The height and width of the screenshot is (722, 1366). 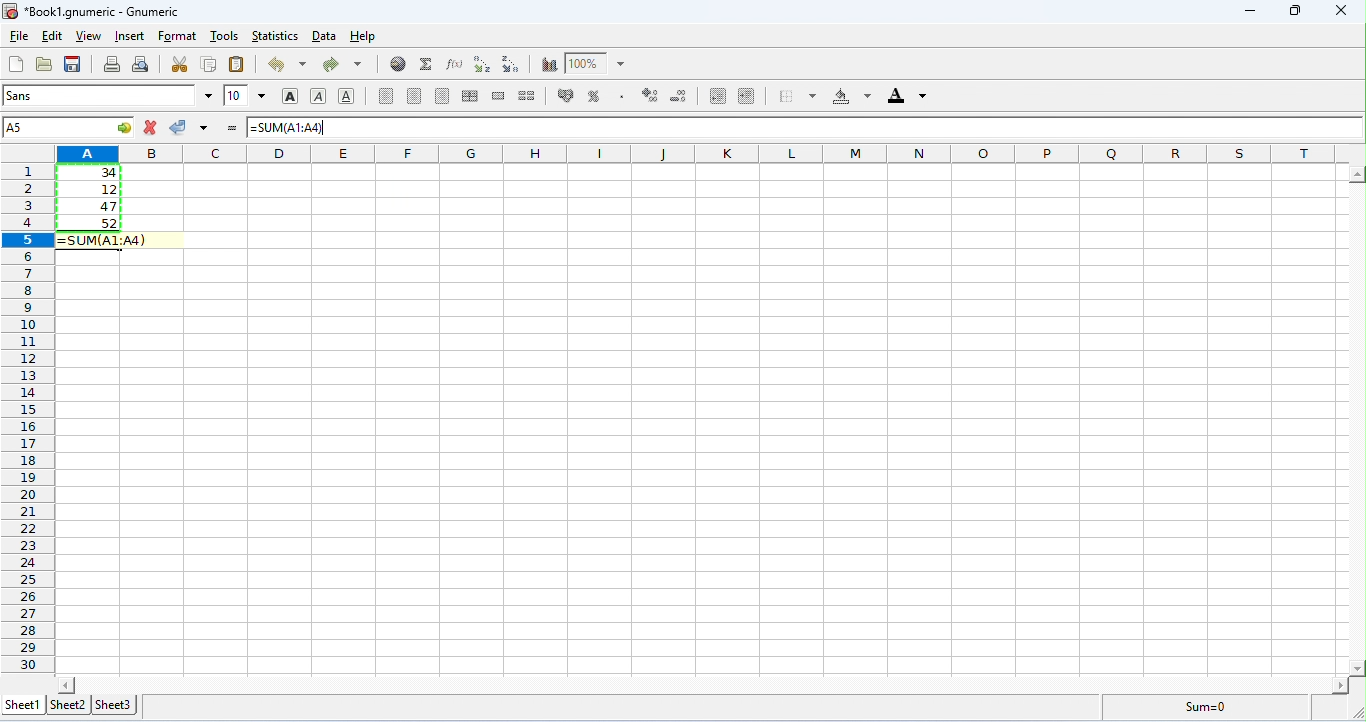 I want to click on copy, so click(x=209, y=63).